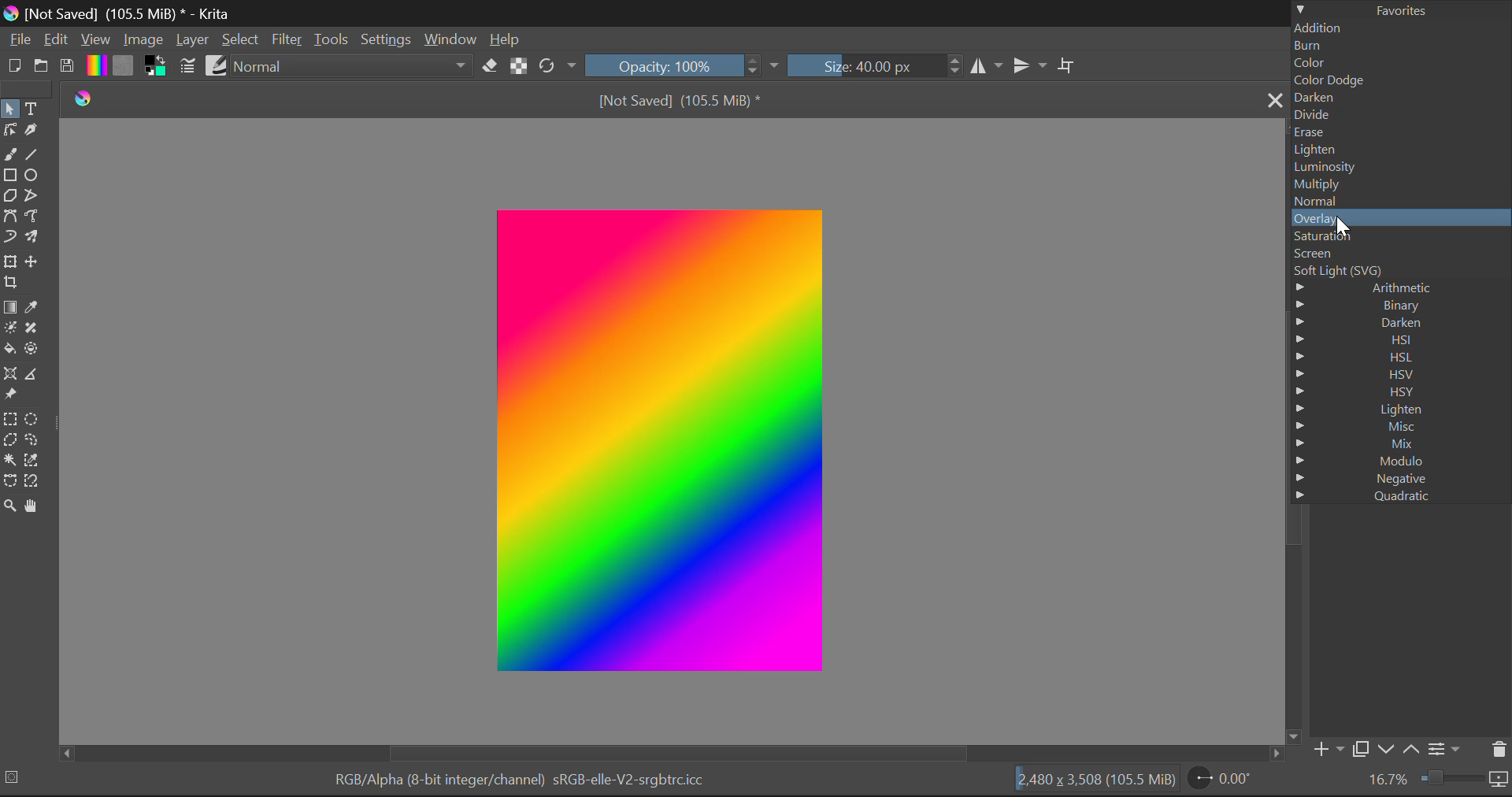 Image resolution: width=1512 pixels, height=797 pixels. Describe the element at coordinates (1402, 751) in the screenshot. I see `move layer front or back` at that location.